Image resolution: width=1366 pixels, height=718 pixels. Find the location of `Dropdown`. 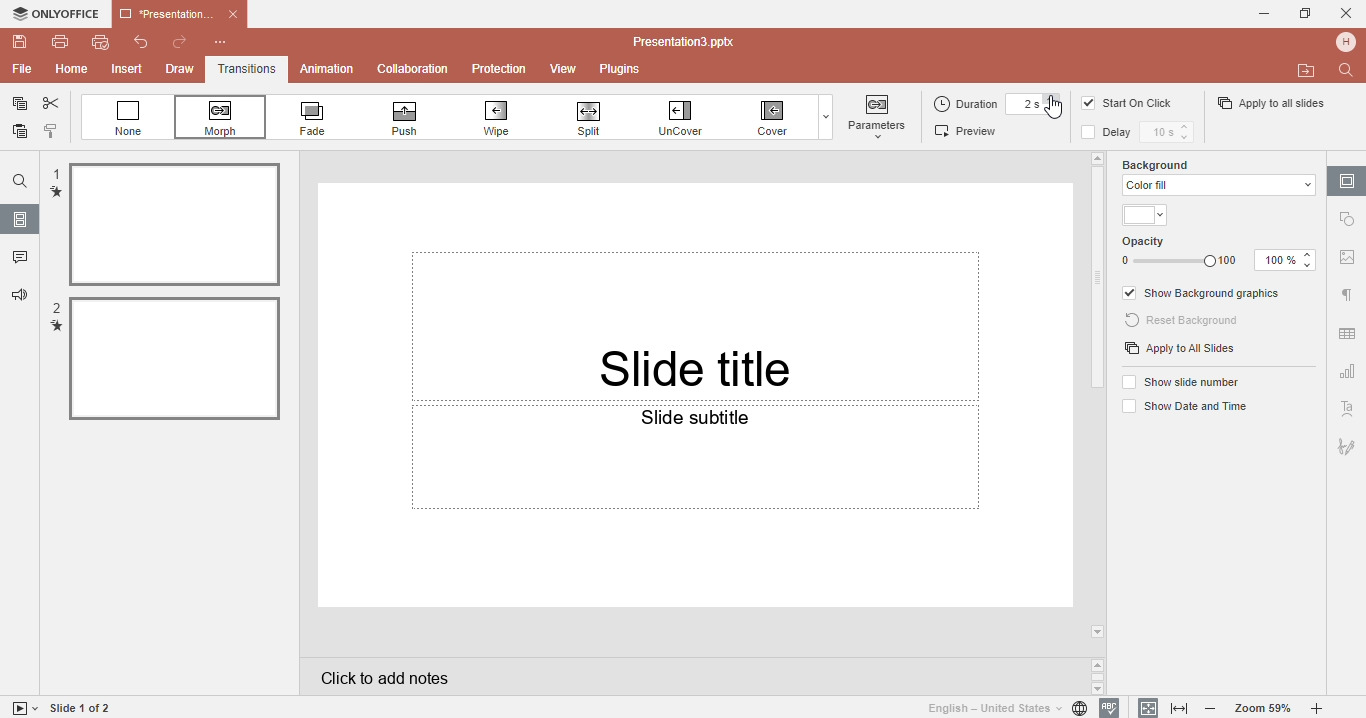

Dropdown is located at coordinates (823, 117).